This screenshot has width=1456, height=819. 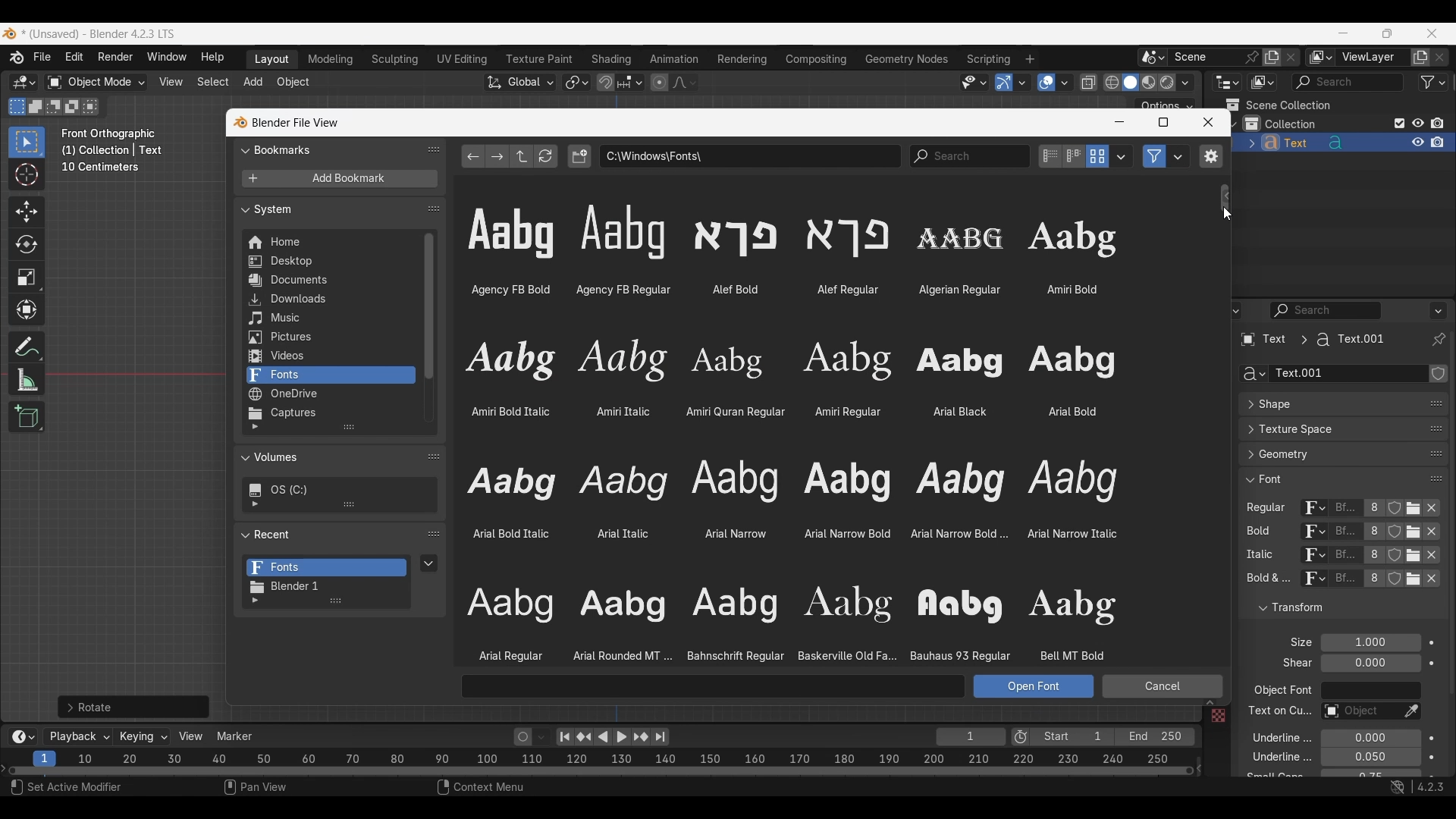 What do you see at coordinates (600, 772) in the screenshot?
I see `Frames timeline slider` at bounding box center [600, 772].